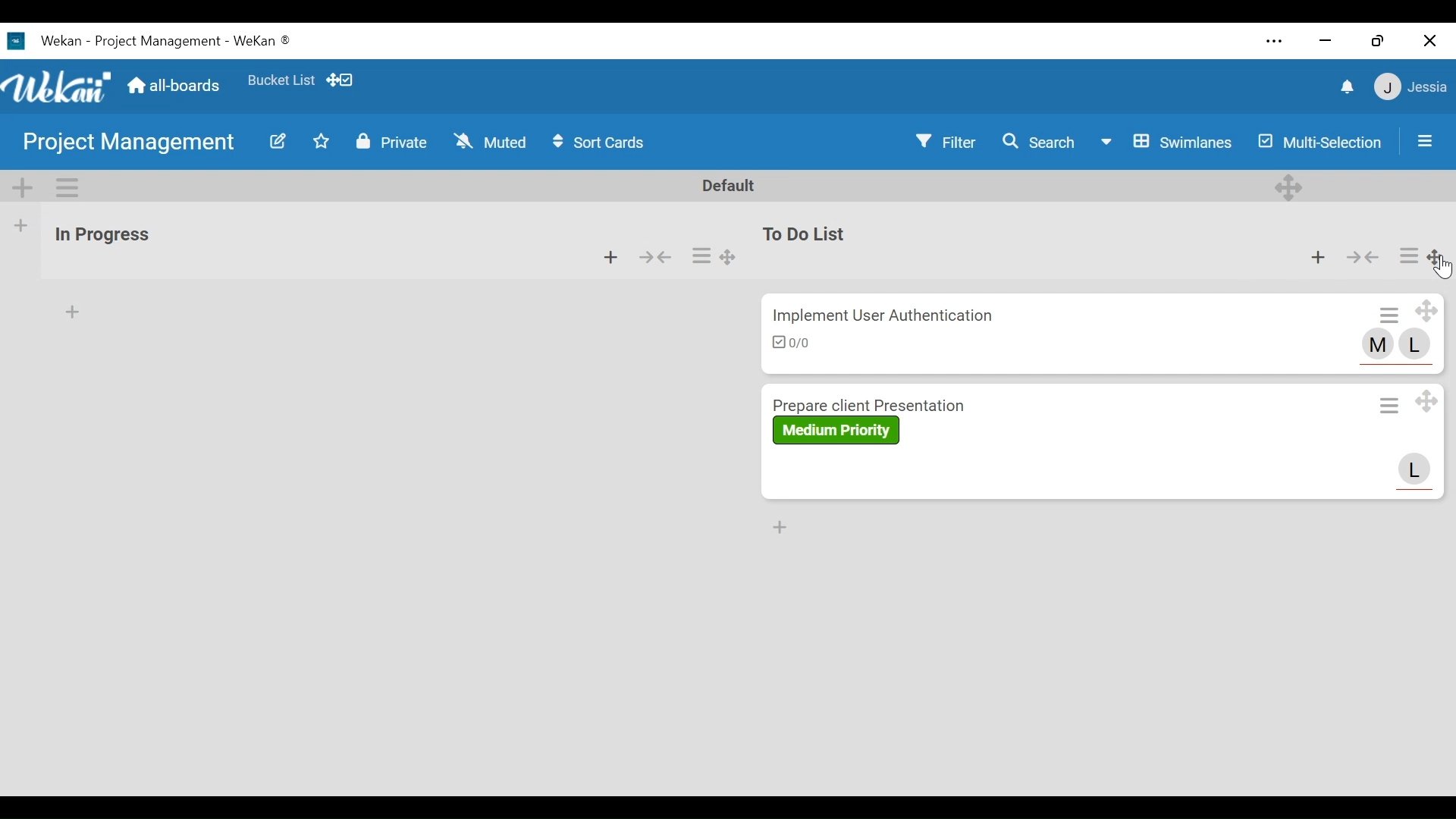 The height and width of the screenshot is (819, 1456). I want to click on restore, so click(1377, 41).